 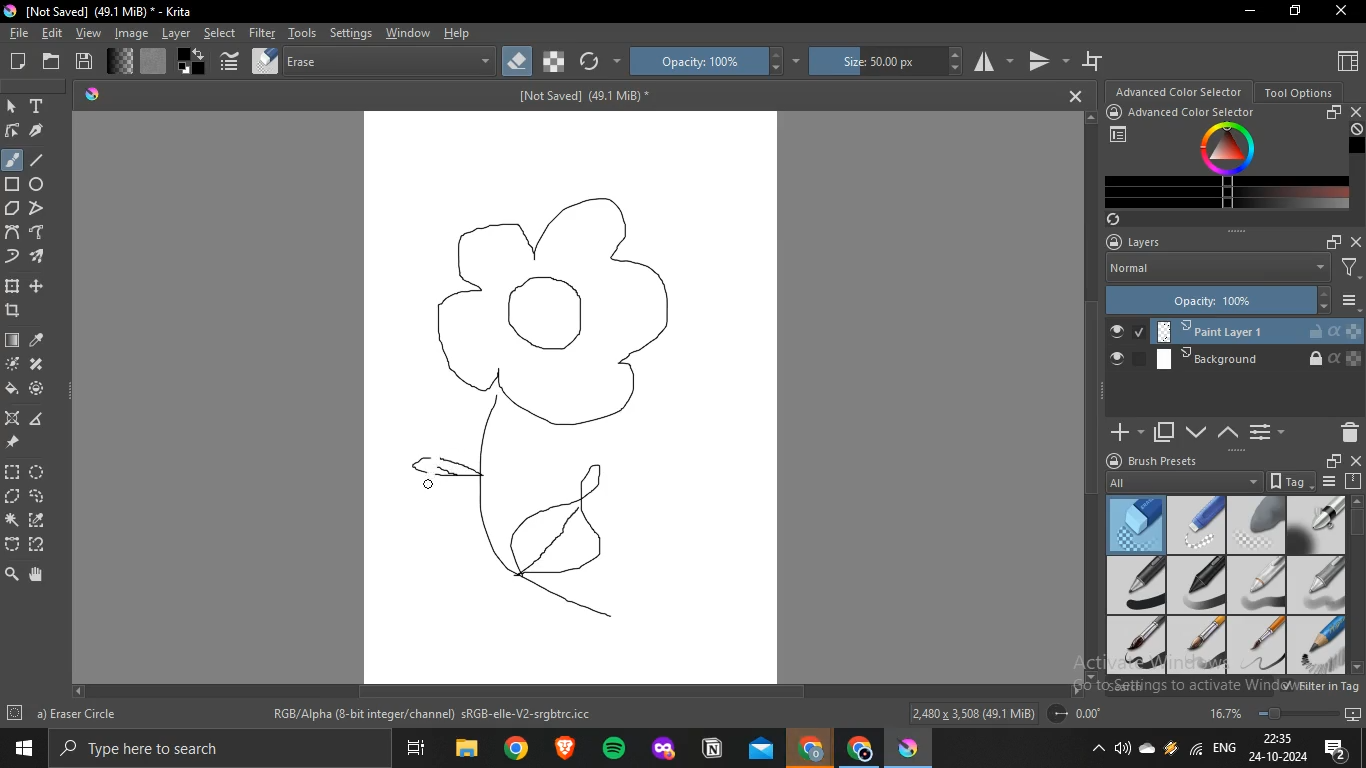 I want to click on bezier curve tool, so click(x=13, y=231).